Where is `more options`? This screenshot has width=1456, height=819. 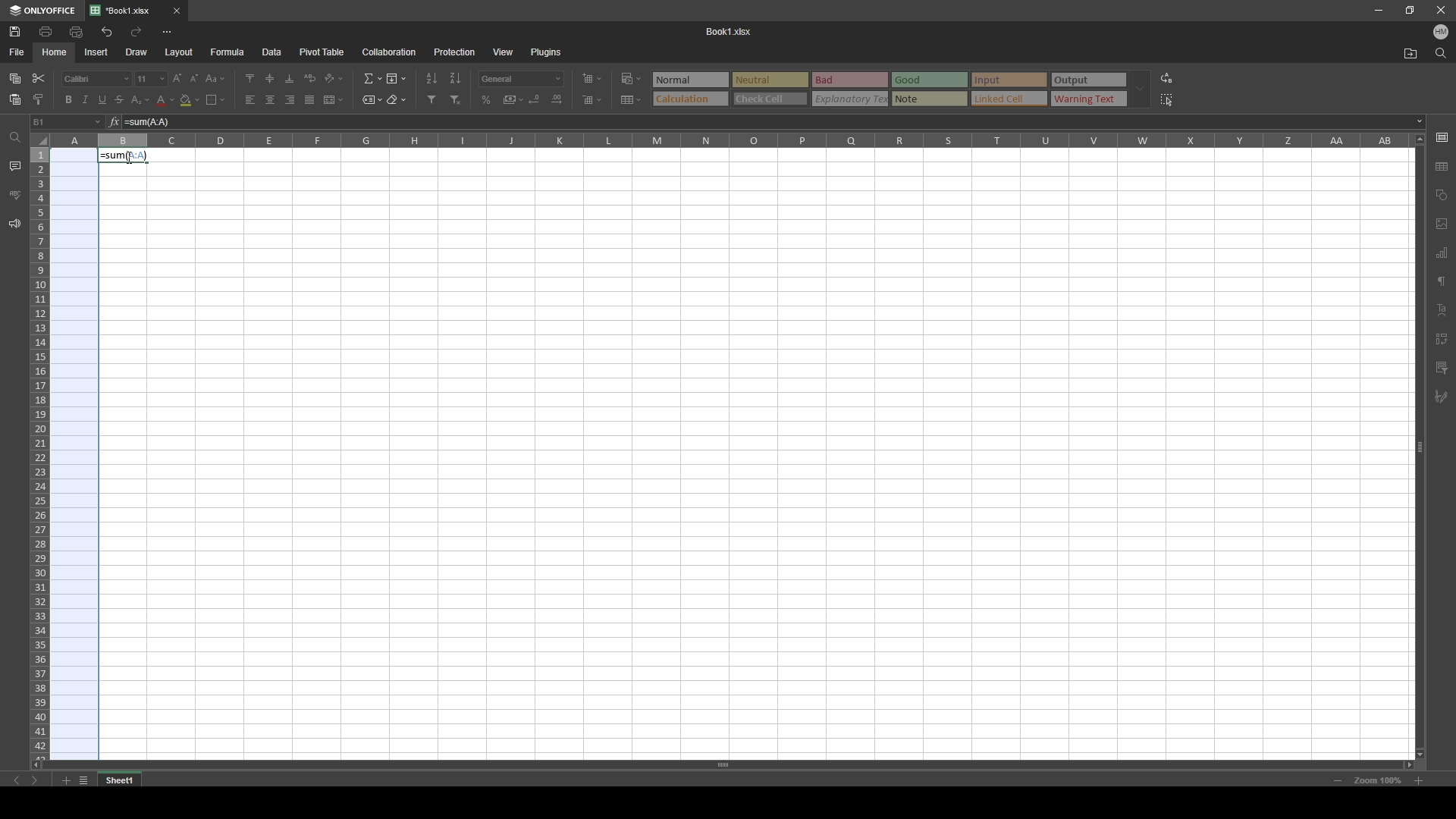
more options is located at coordinates (168, 33).